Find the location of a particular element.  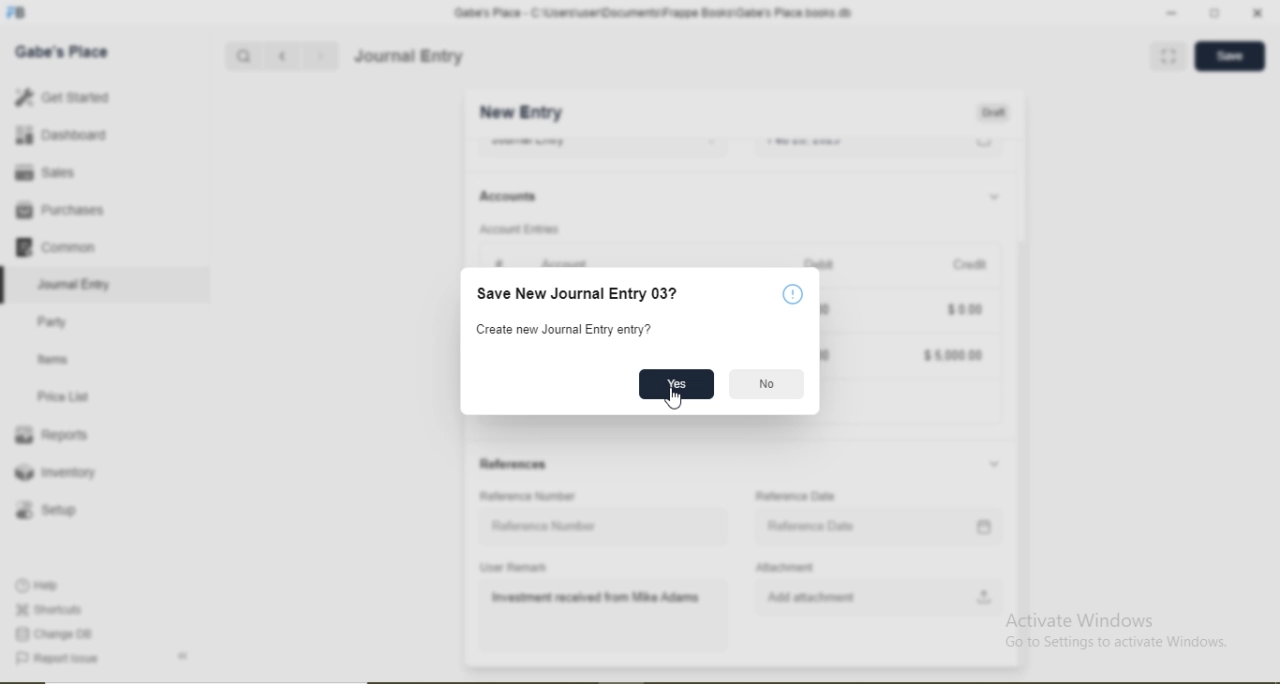

Reference Date is located at coordinates (795, 496).